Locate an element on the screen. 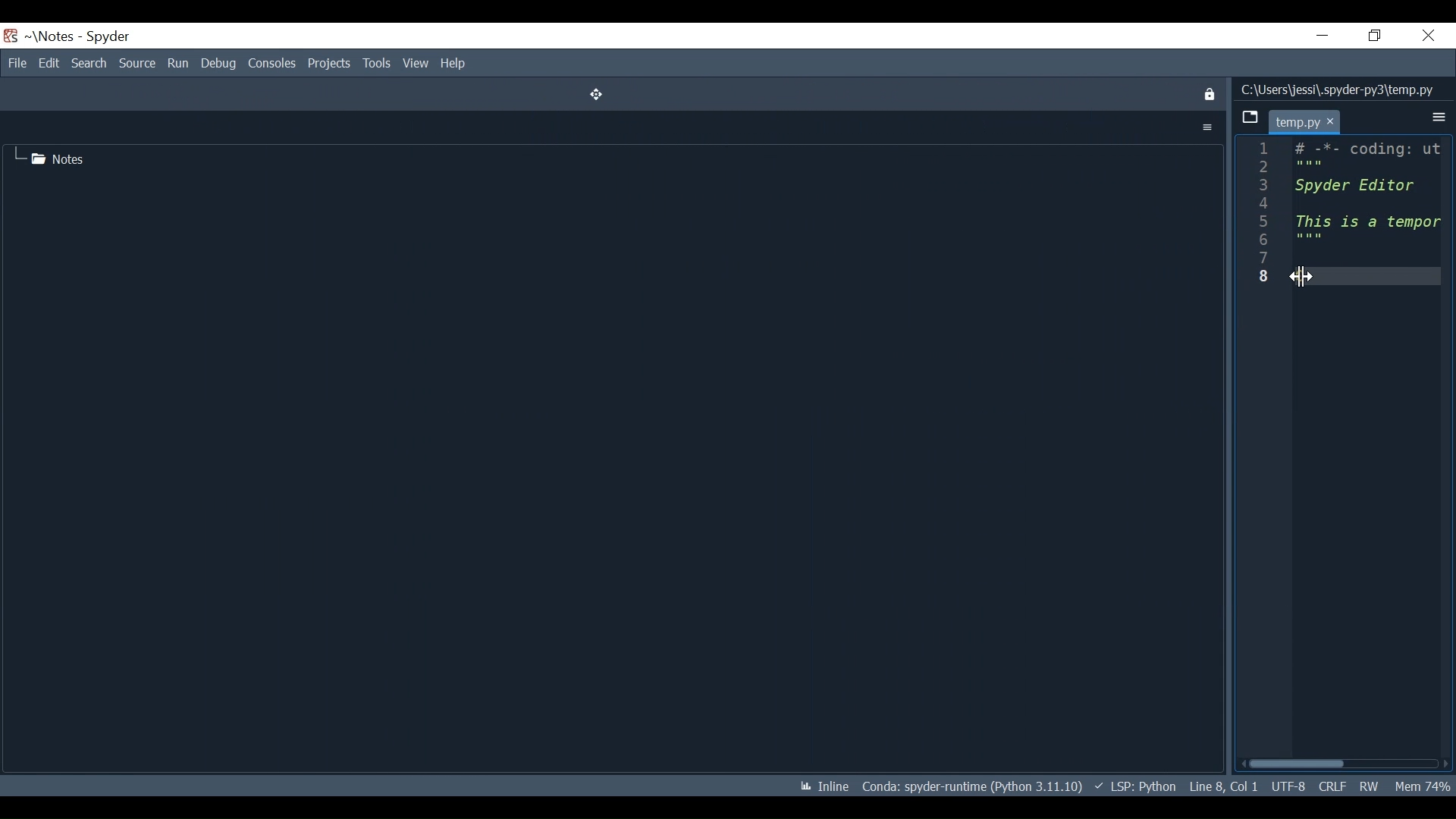 This screenshot has width=1456, height=819. Edit is located at coordinates (47, 63).